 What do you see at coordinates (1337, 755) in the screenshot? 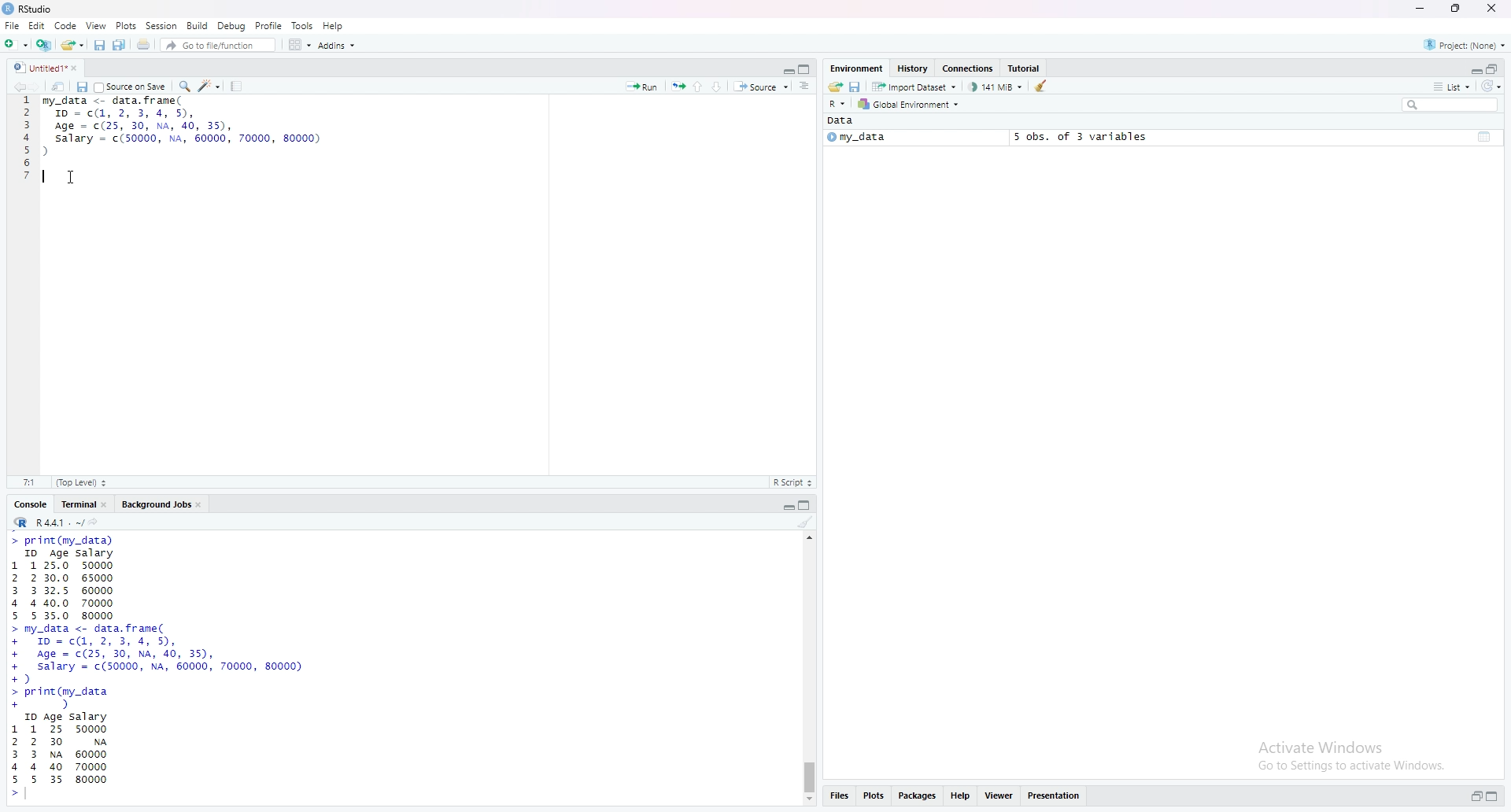
I see `Activate windows Go to Settings to activate windows` at bounding box center [1337, 755].